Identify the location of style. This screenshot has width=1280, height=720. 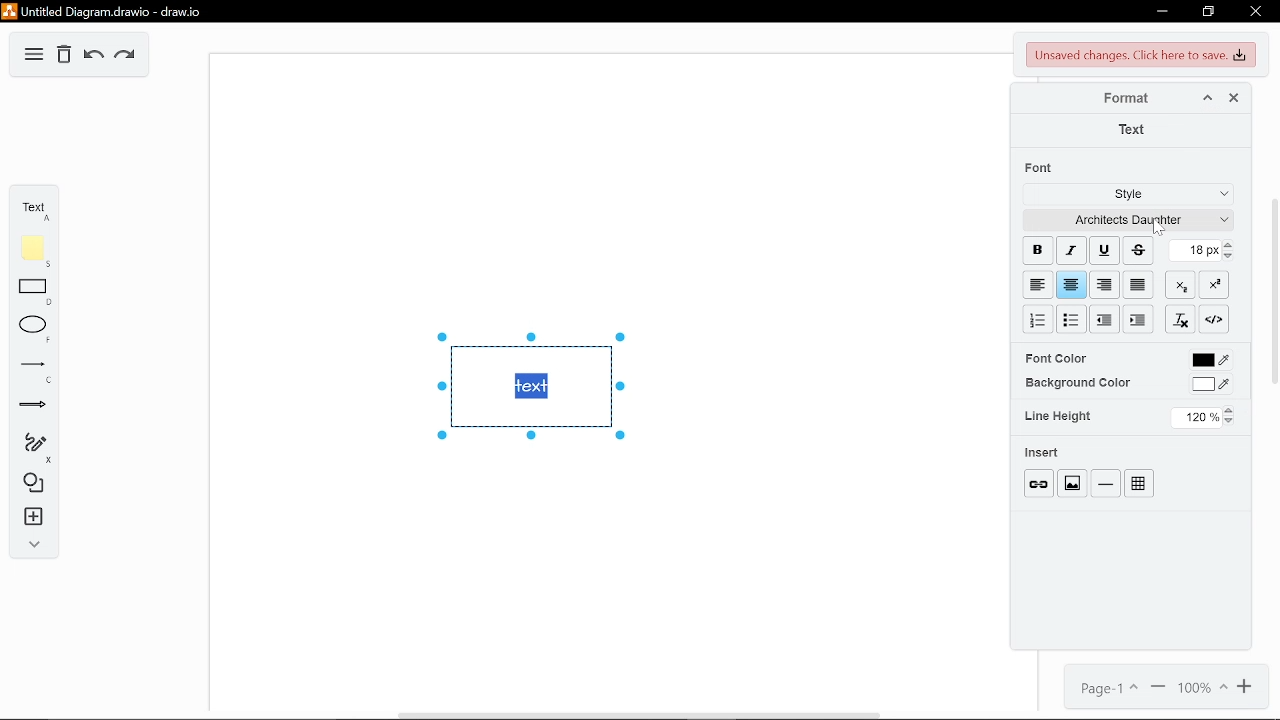
(1123, 195).